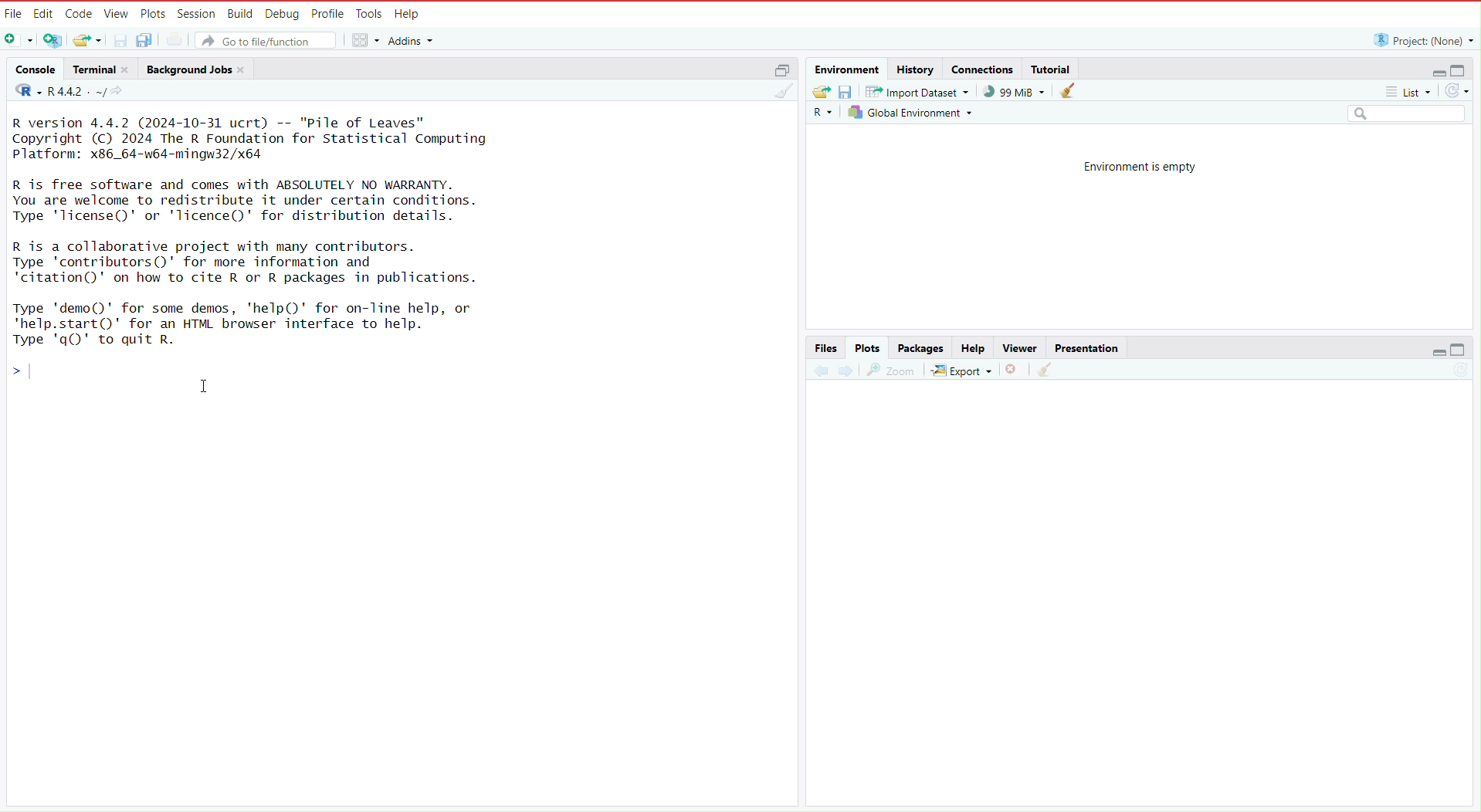  What do you see at coordinates (245, 69) in the screenshot?
I see `close` at bounding box center [245, 69].